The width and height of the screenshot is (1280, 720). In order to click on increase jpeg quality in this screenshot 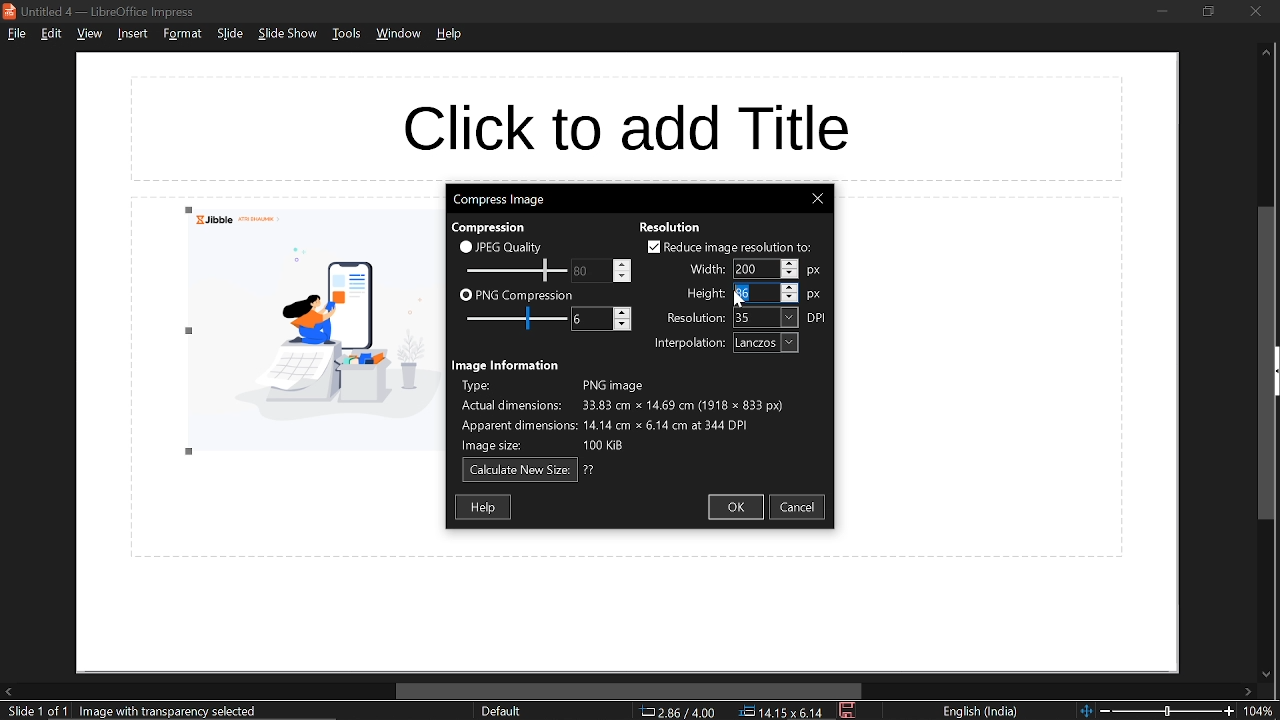, I will do `click(622, 264)`.